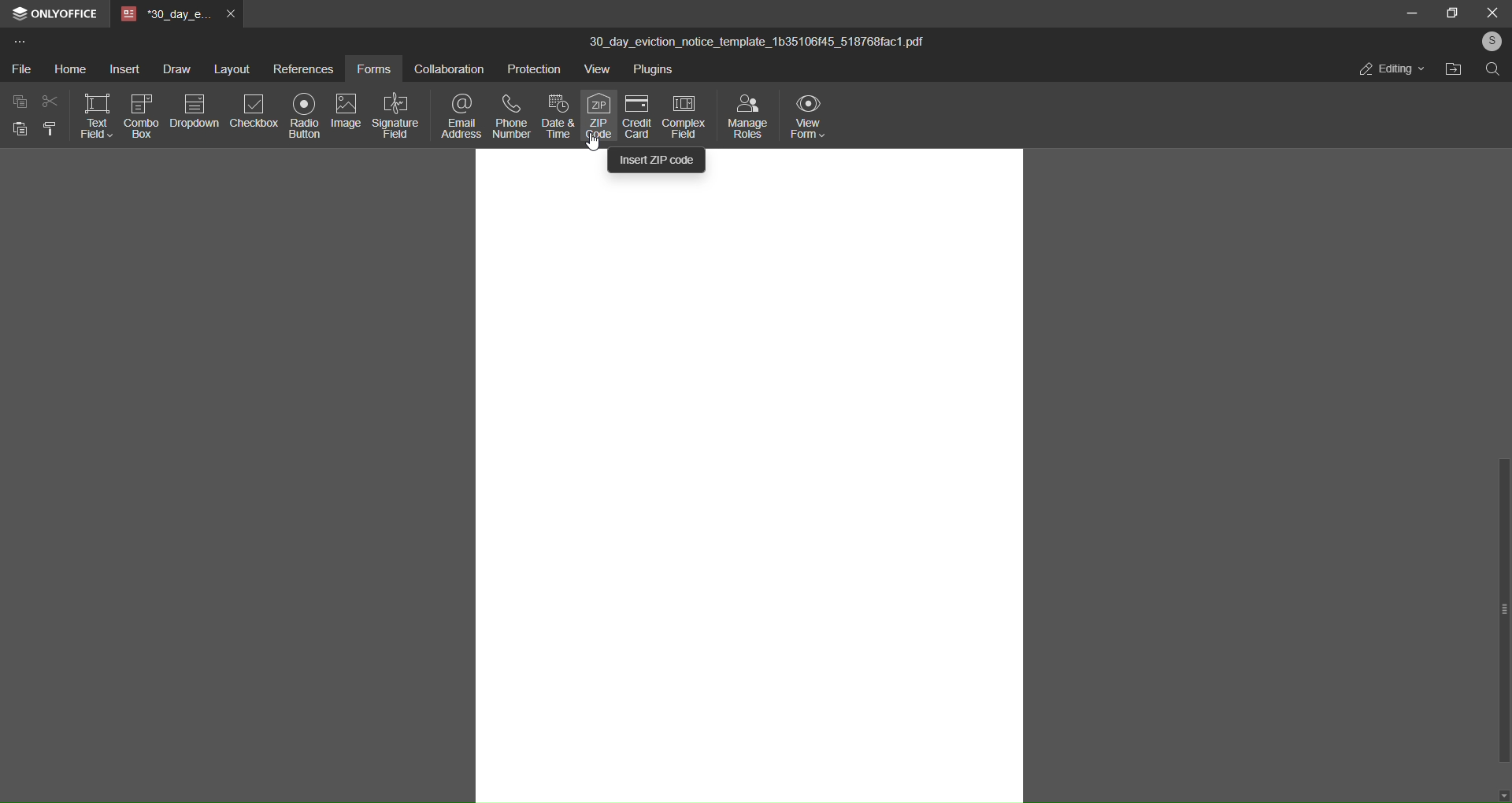 Image resolution: width=1512 pixels, height=803 pixels. I want to click on insert, so click(122, 70).